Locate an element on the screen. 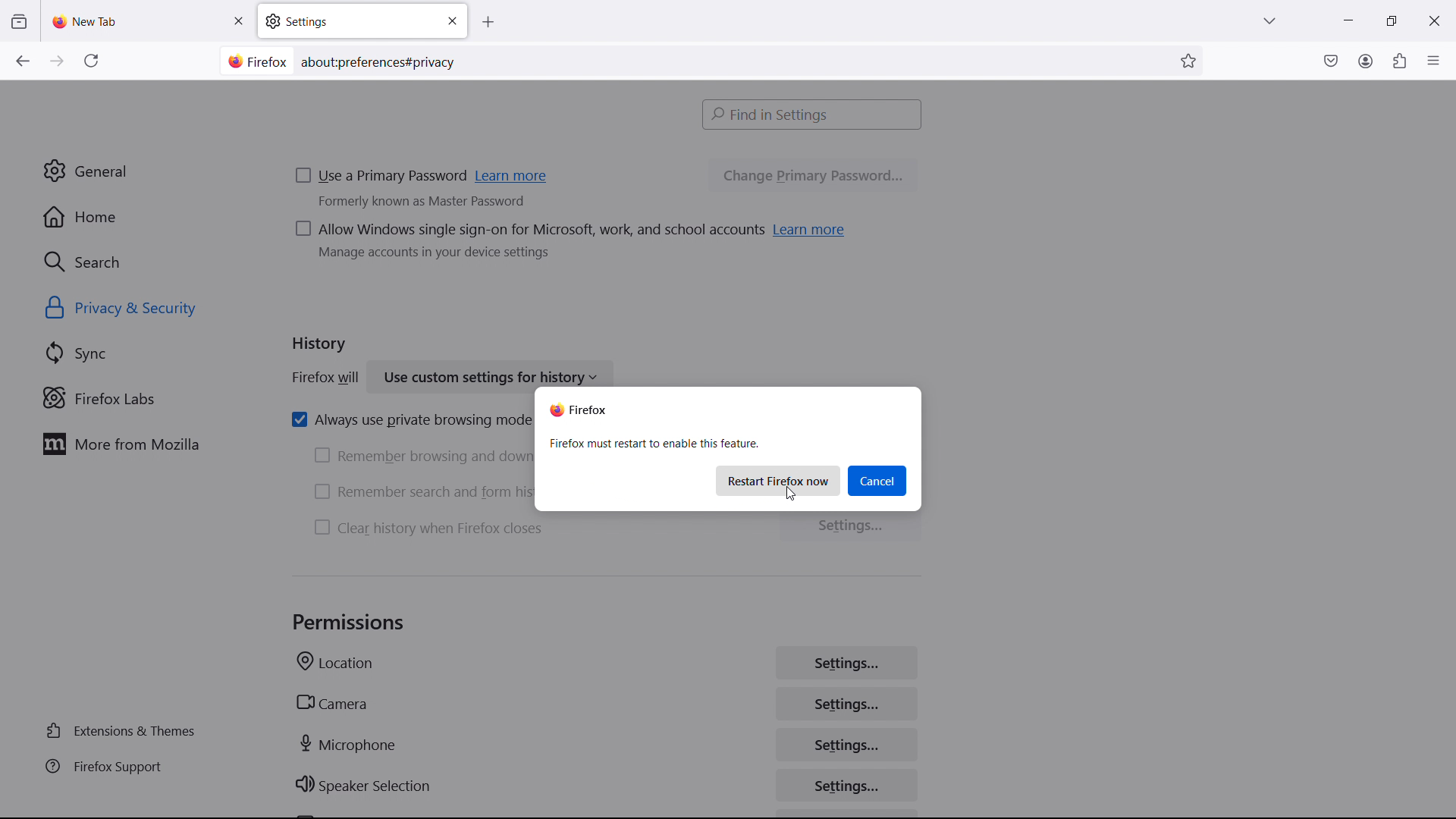  go back one page, right click or pull down to show history is located at coordinates (22, 61).